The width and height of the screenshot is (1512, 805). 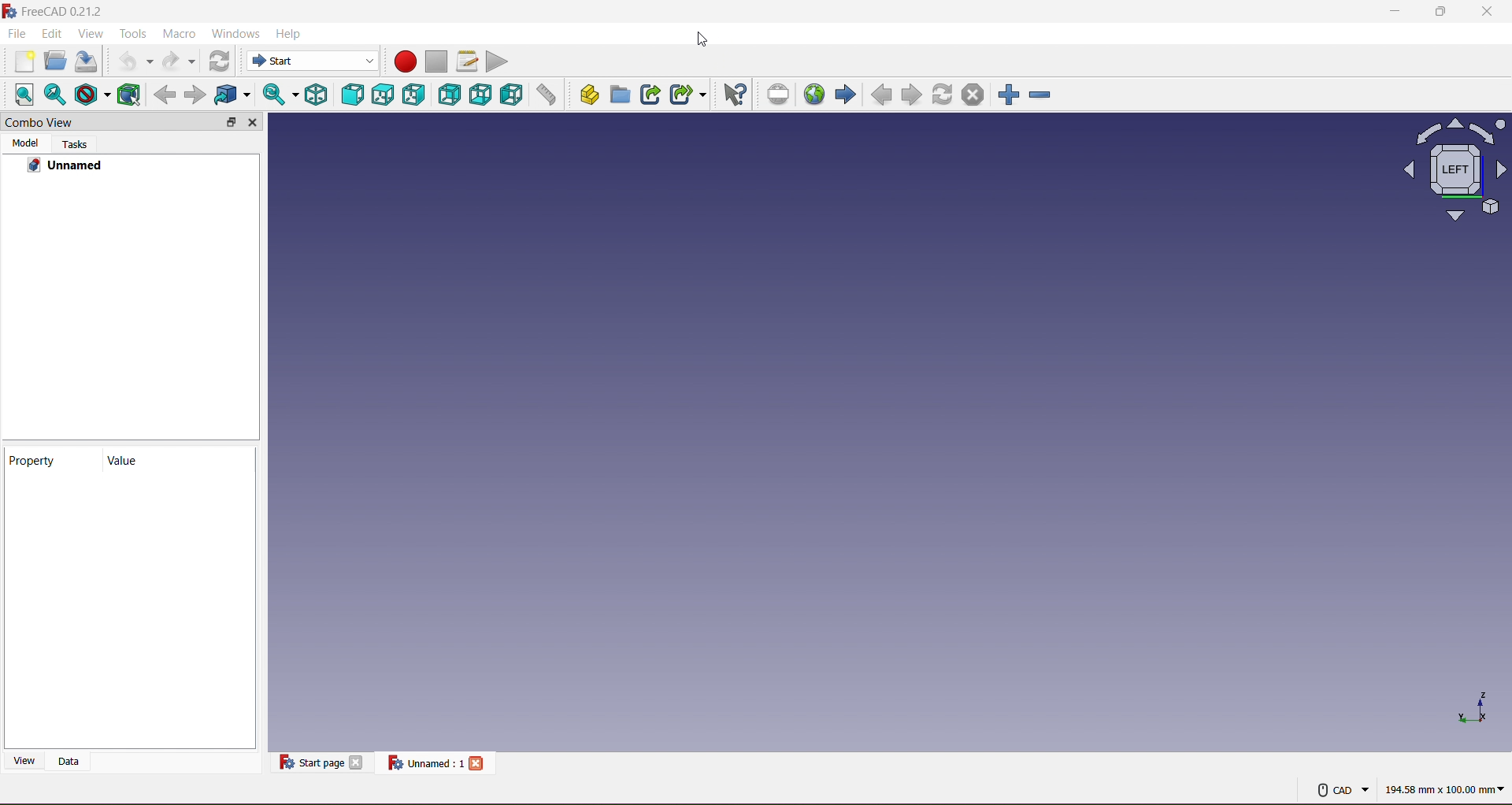 What do you see at coordinates (1343, 787) in the screenshot?
I see `CAD Mouse` at bounding box center [1343, 787].